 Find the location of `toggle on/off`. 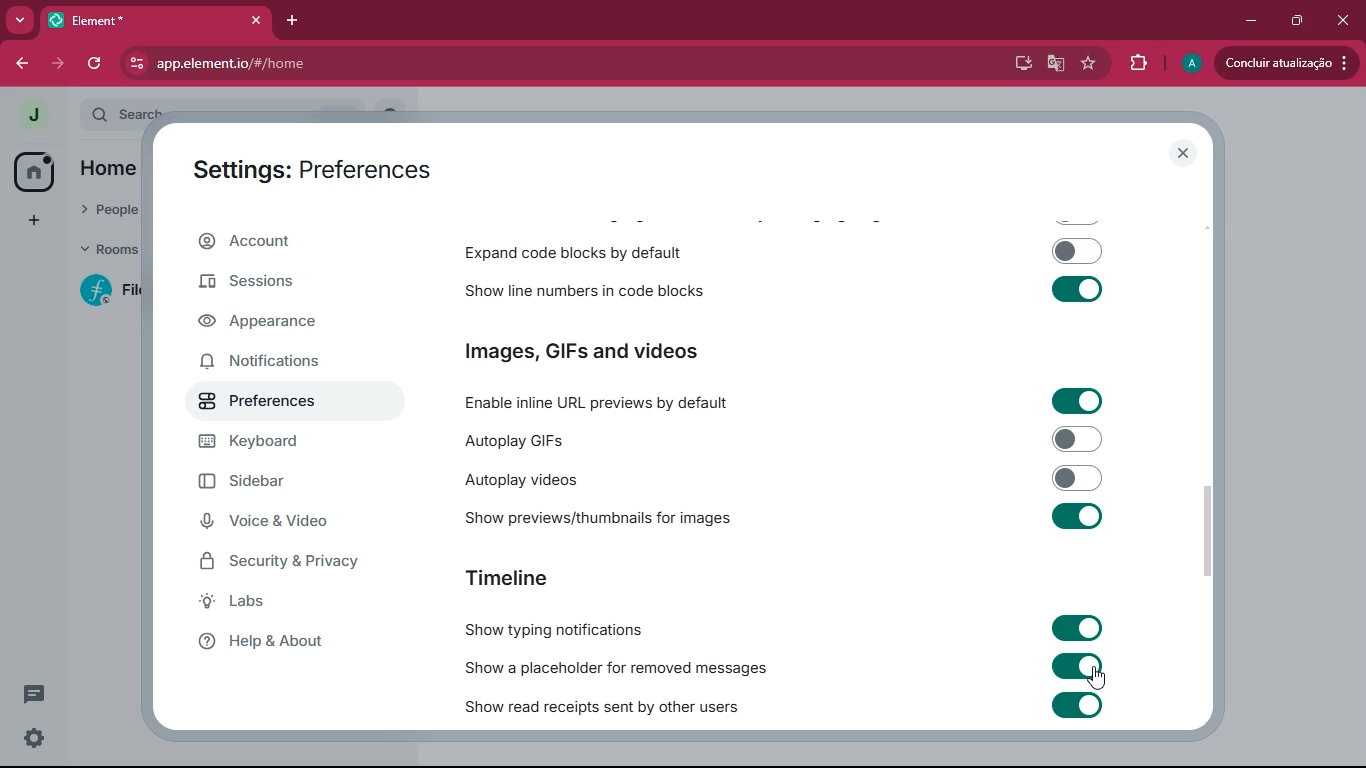

toggle on/off is located at coordinates (1077, 289).